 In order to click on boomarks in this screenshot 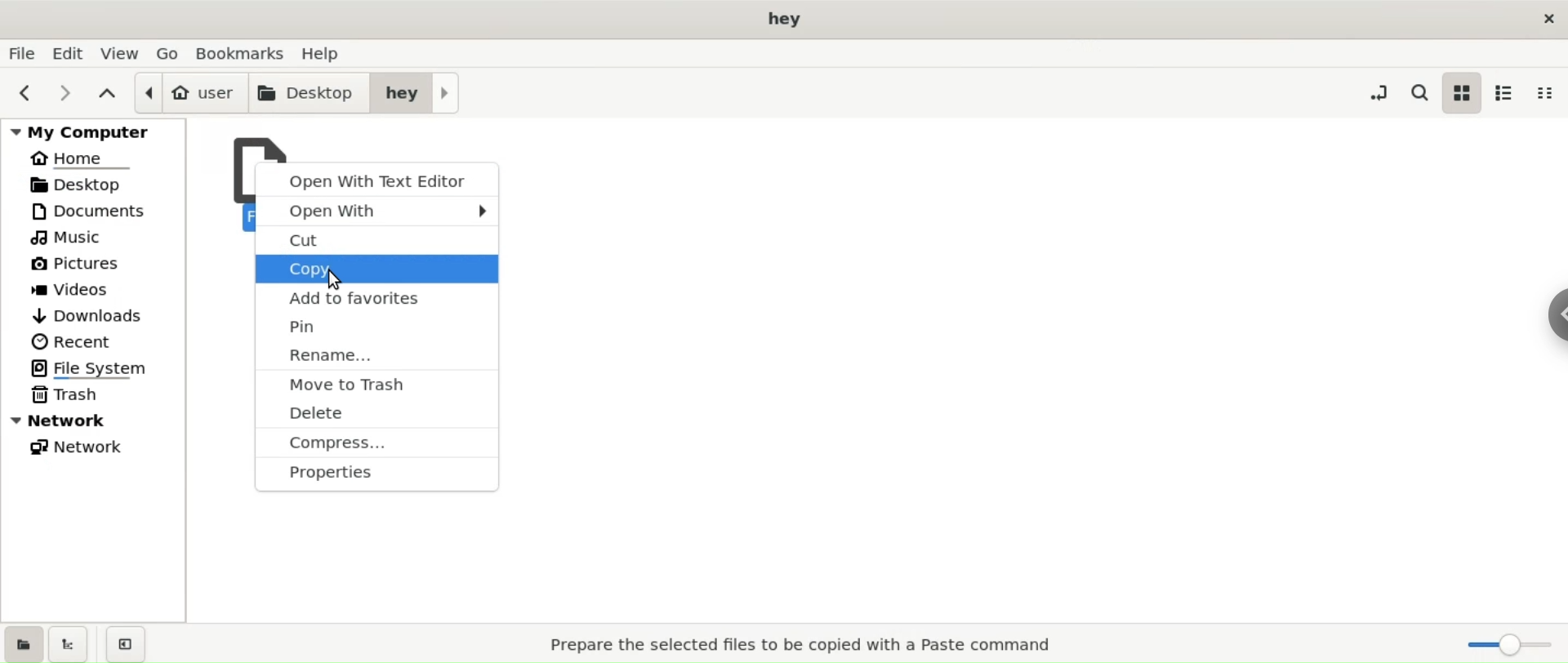, I will do `click(246, 53)`.